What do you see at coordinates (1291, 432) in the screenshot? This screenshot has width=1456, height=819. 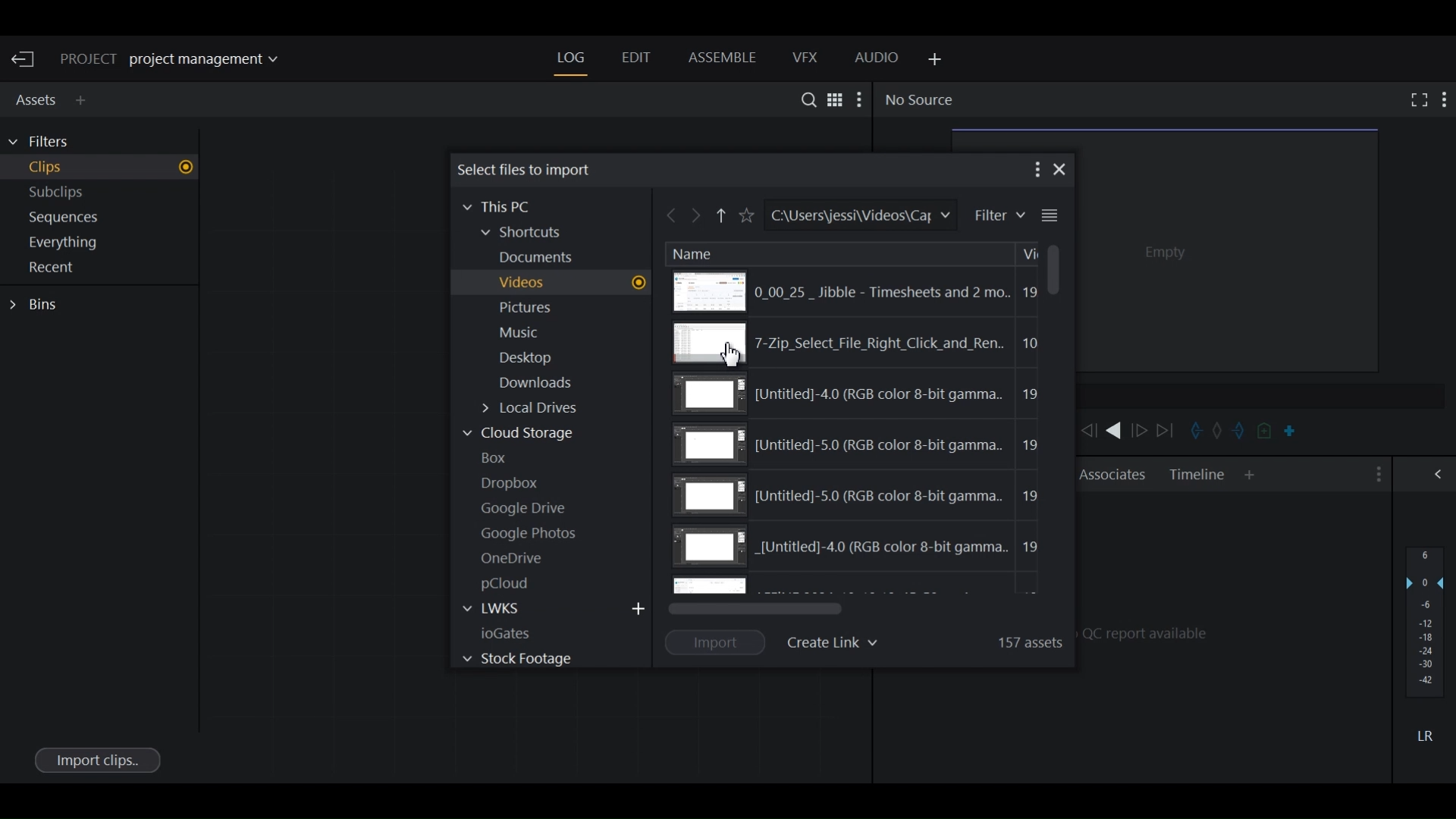 I see `` at bounding box center [1291, 432].